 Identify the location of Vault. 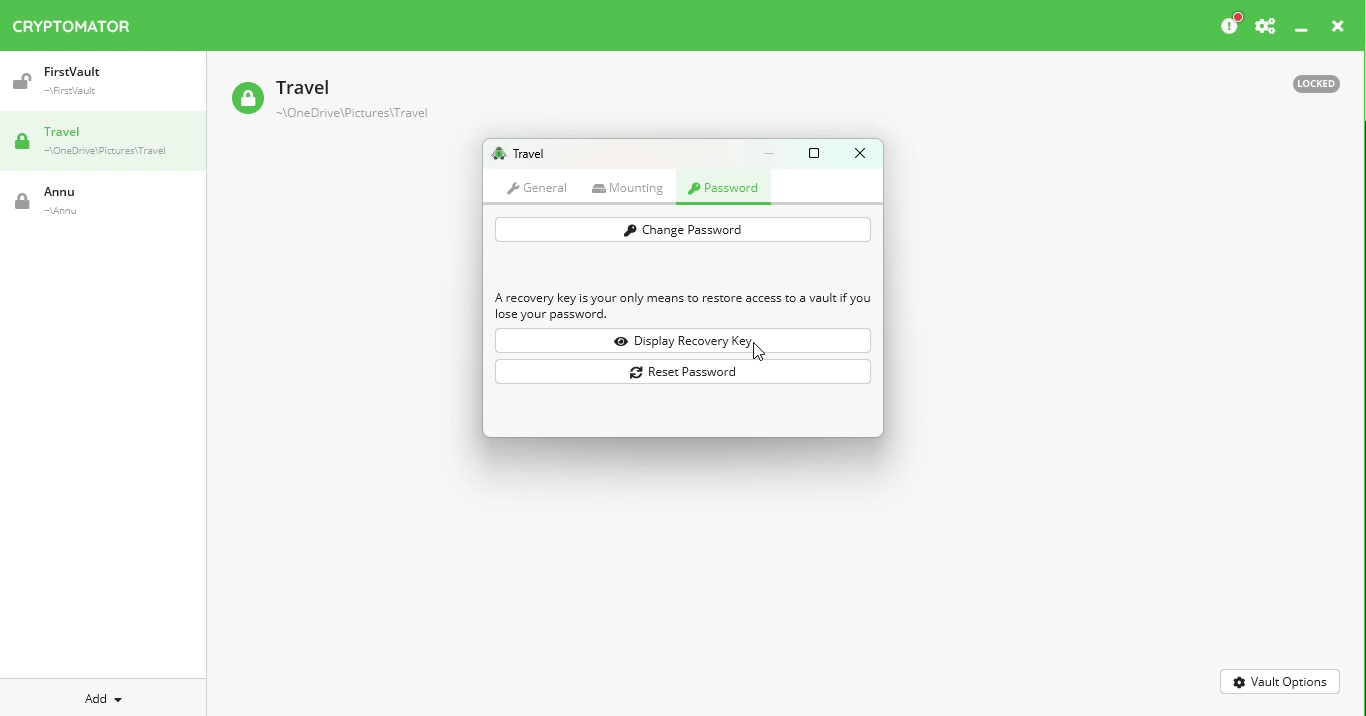
(85, 201).